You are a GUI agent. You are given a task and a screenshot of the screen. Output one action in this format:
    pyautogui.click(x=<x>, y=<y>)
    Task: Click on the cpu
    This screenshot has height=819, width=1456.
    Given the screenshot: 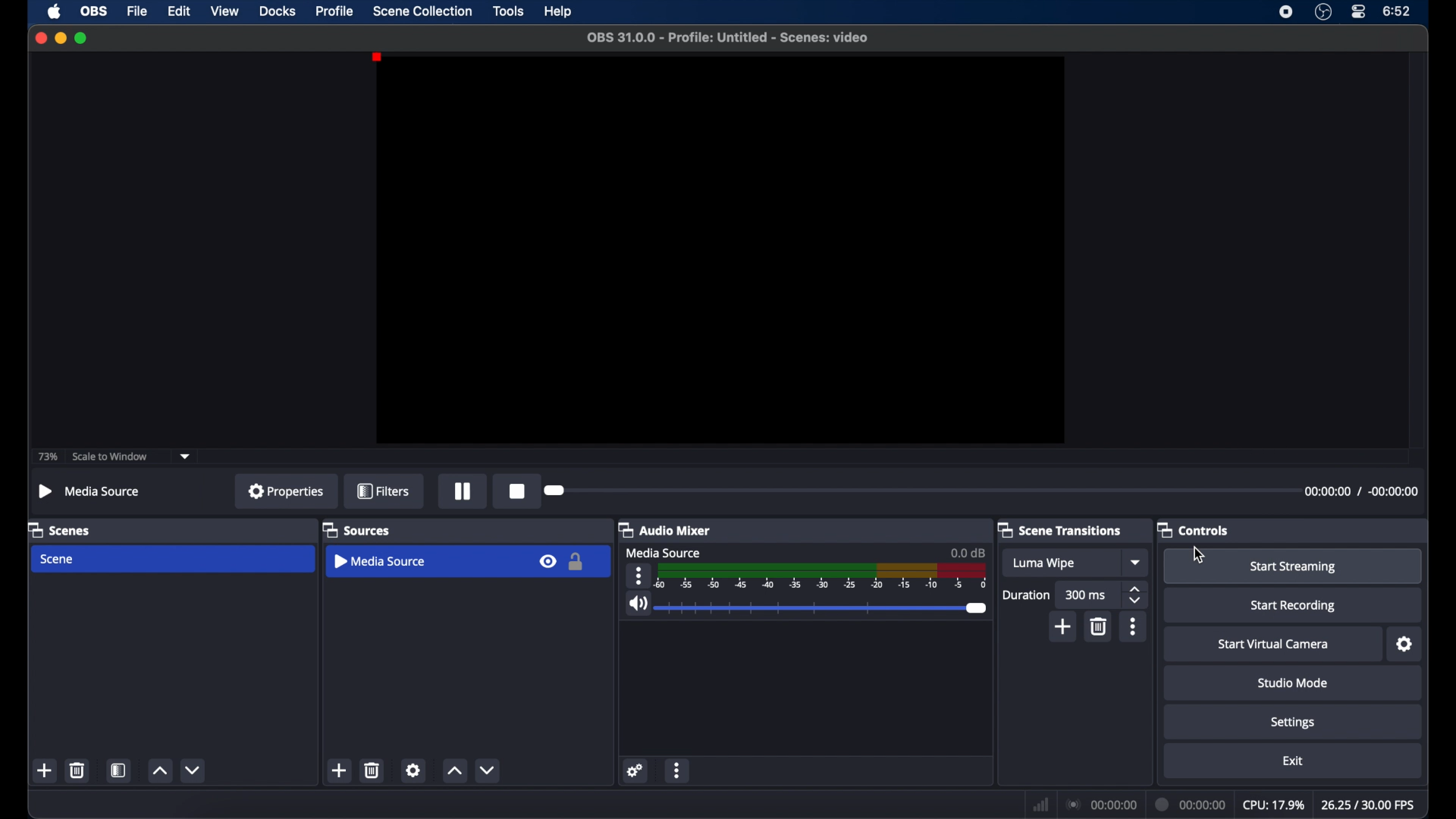 What is the action you would take?
    pyautogui.click(x=1272, y=805)
    